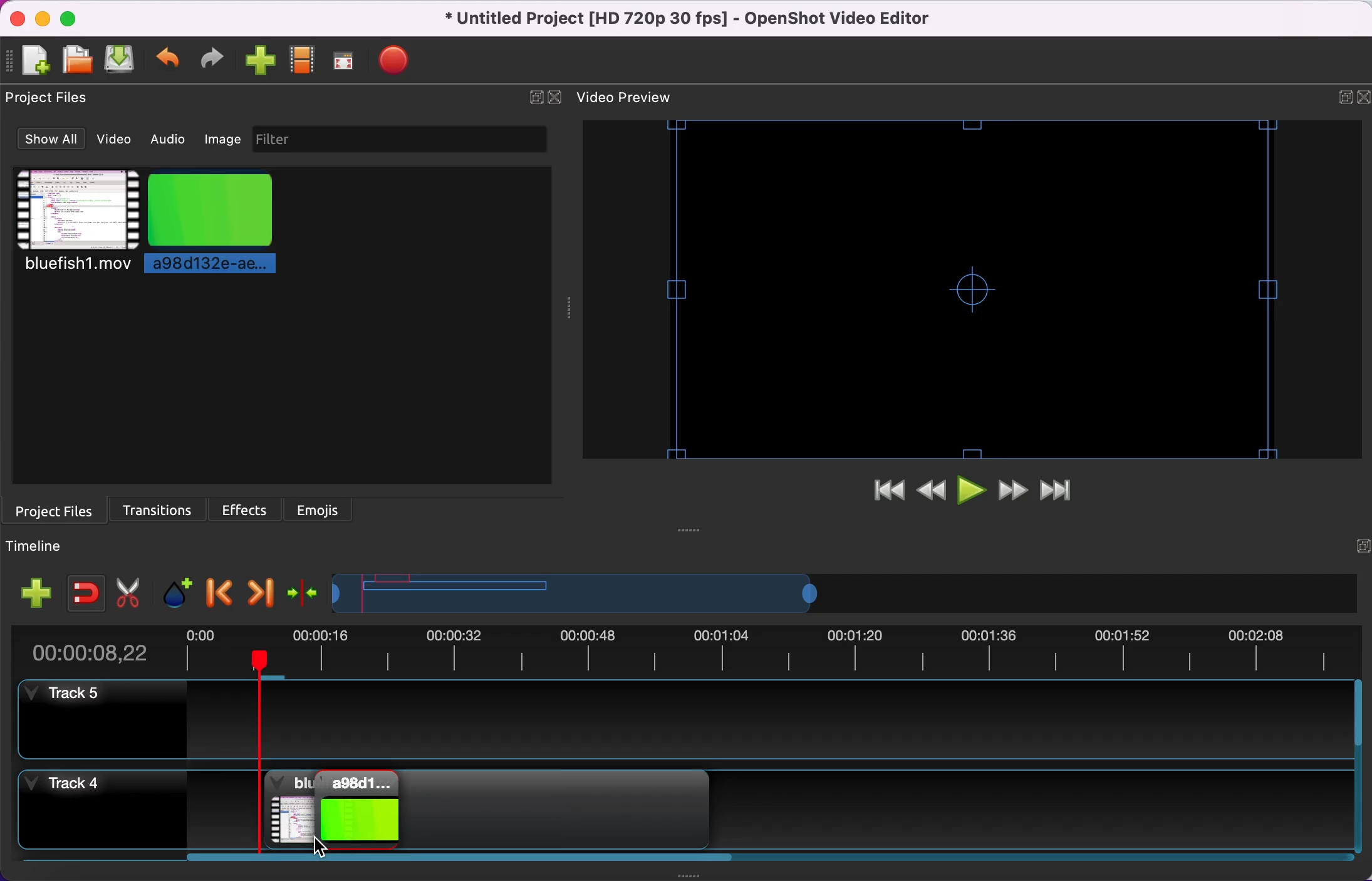  I want to click on undo, so click(165, 60).